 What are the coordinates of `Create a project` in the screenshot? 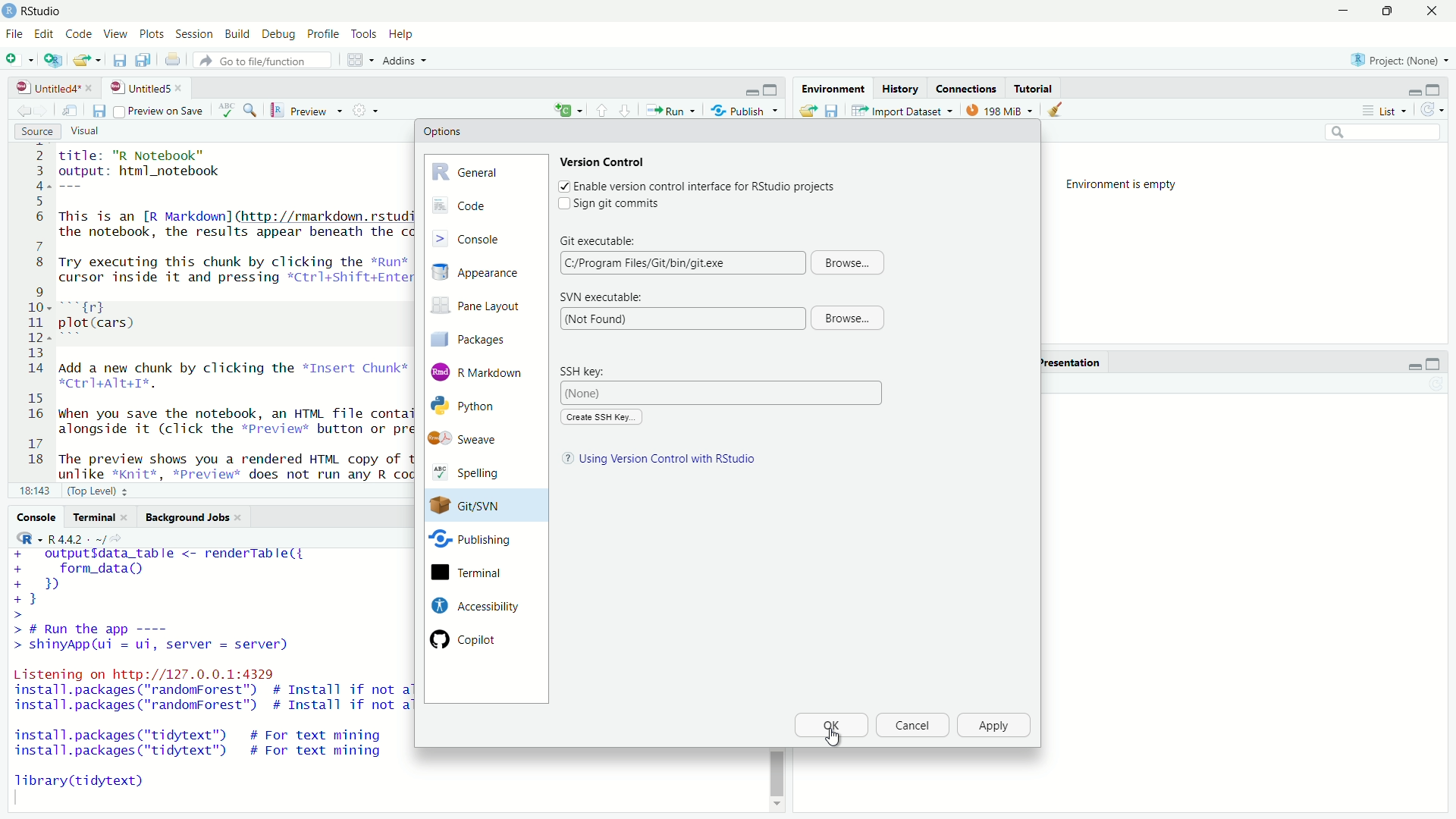 It's located at (54, 59).